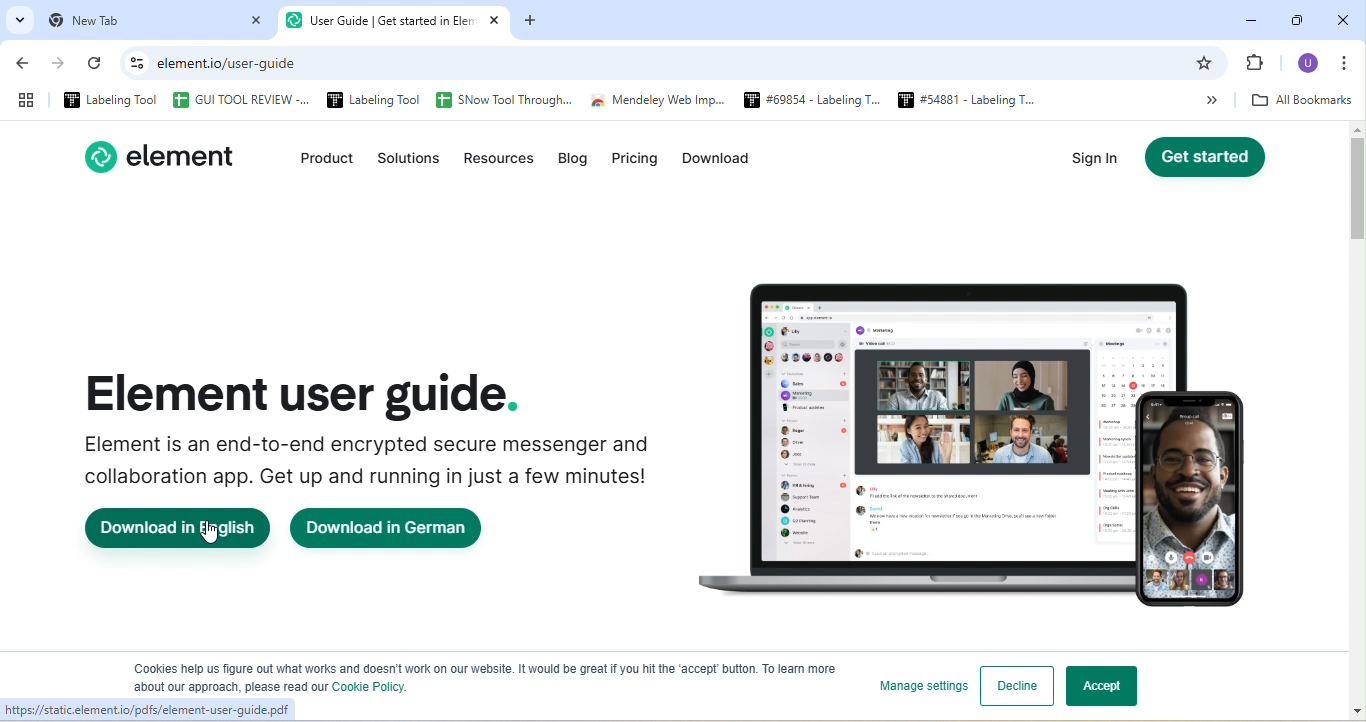 The height and width of the screenshot is (722, 1366). Describe the element at coordinates (371, 100) in the screenshot. I see `Labeling Tool` at that location.